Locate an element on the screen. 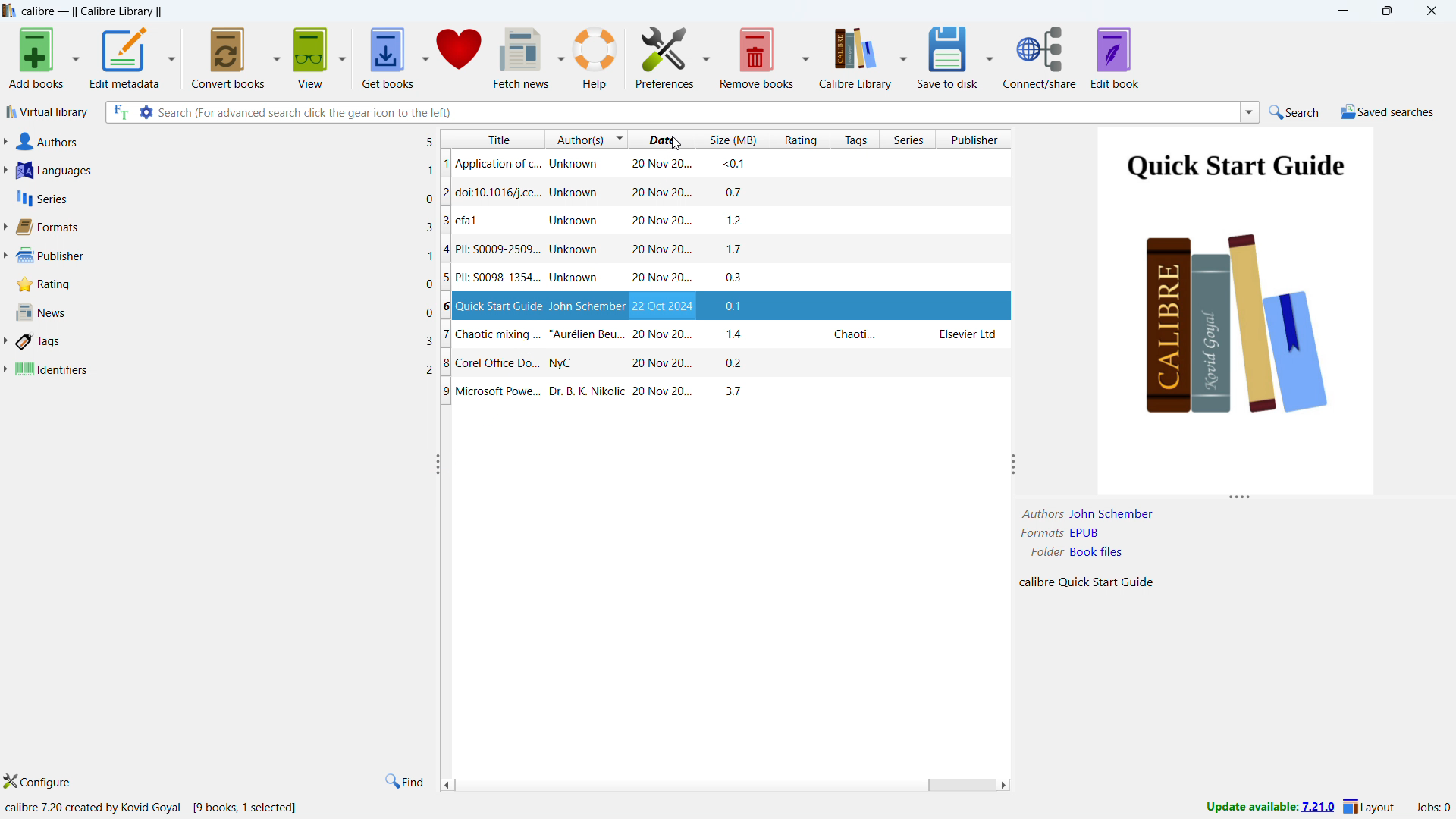 Image resolution: width=1456 pixels, height=819 pixels. 1.2 is located at coordinates (741, 221).